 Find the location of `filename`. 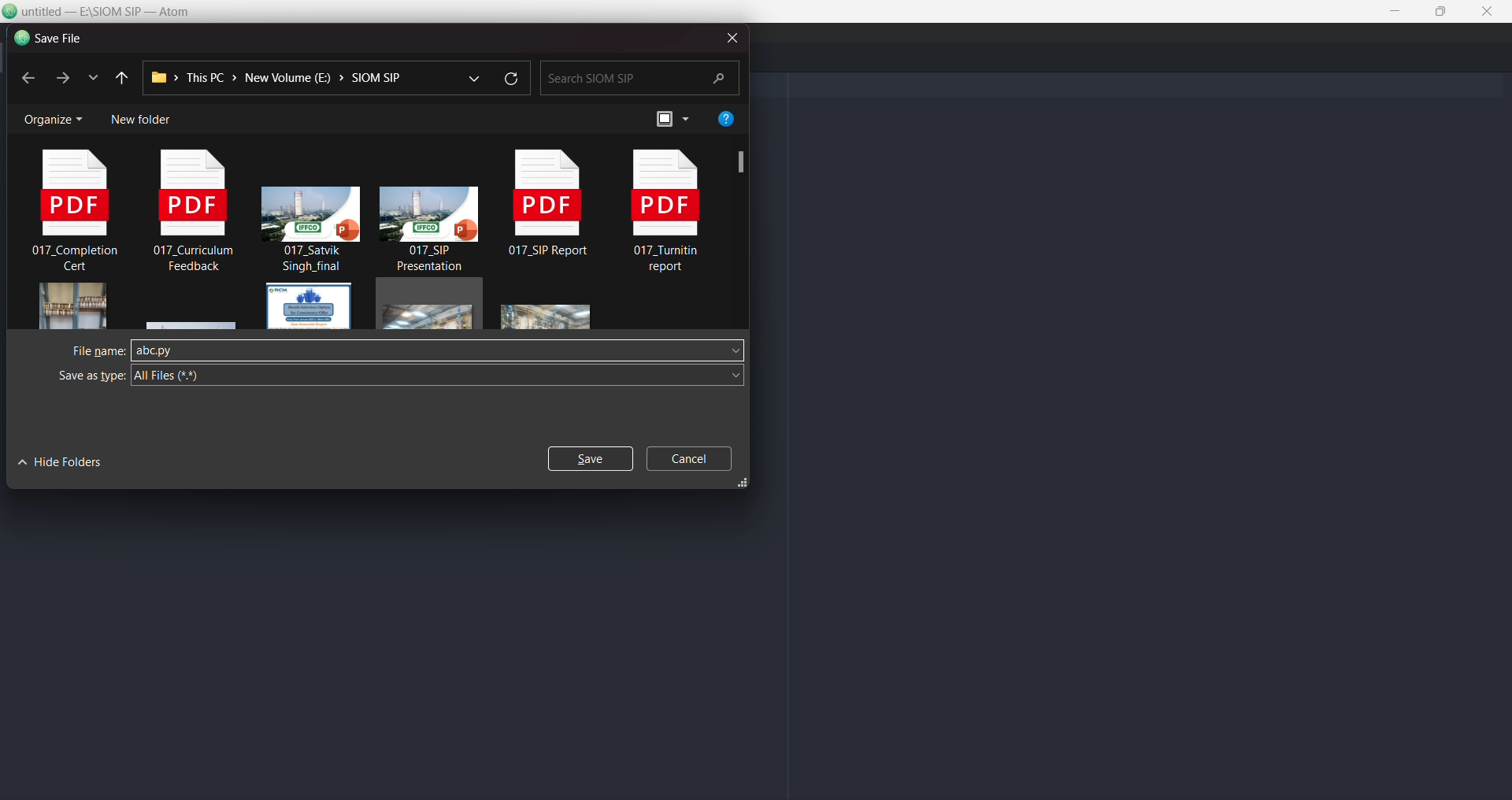

filename is located at coordinates (92, 351).